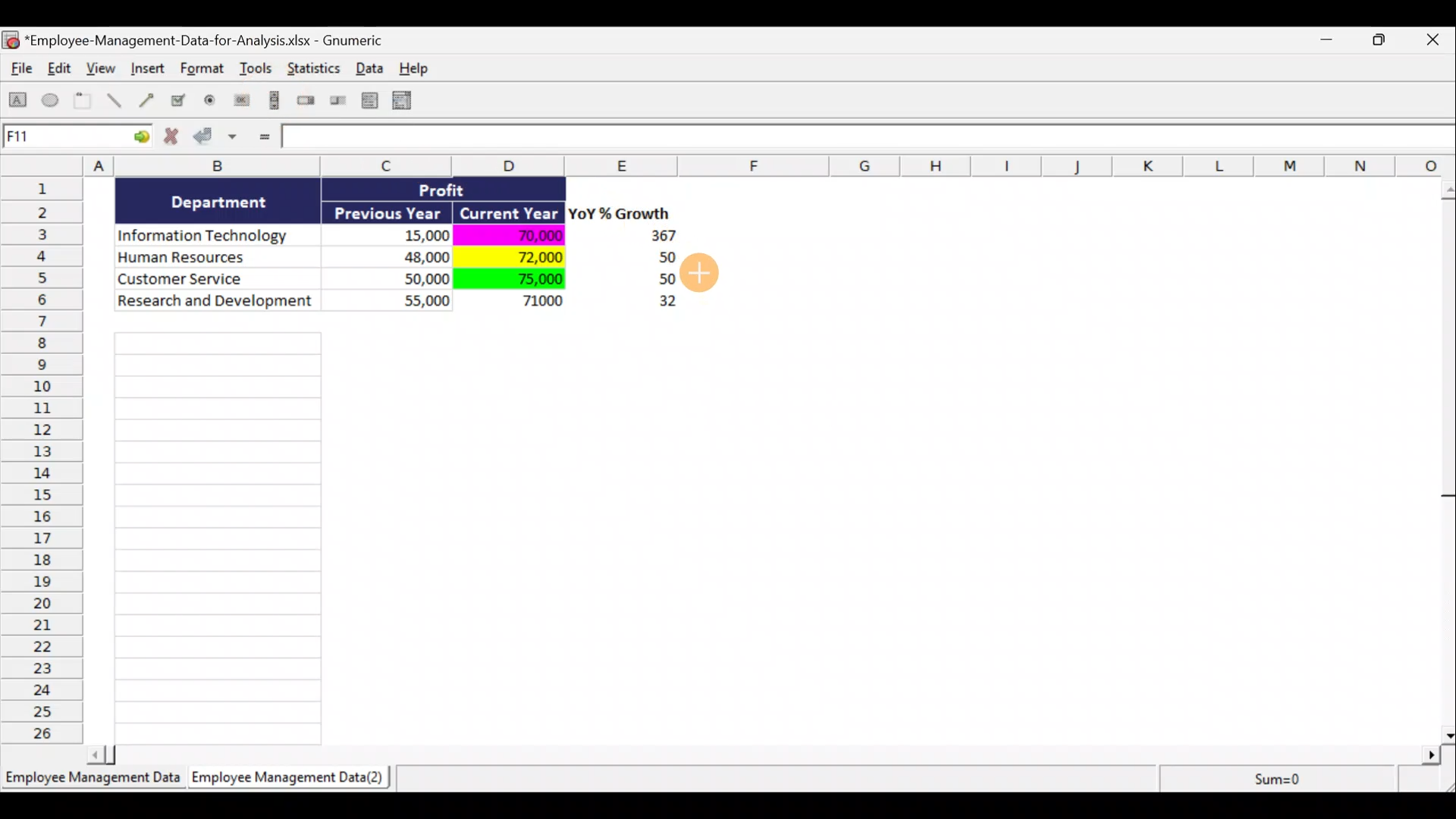 Image resolution: width=1456 pixels, height=819 pixels. Describe the element at coordinates (211, 102) in the screenshot. I see `Create a radio button` at that location.